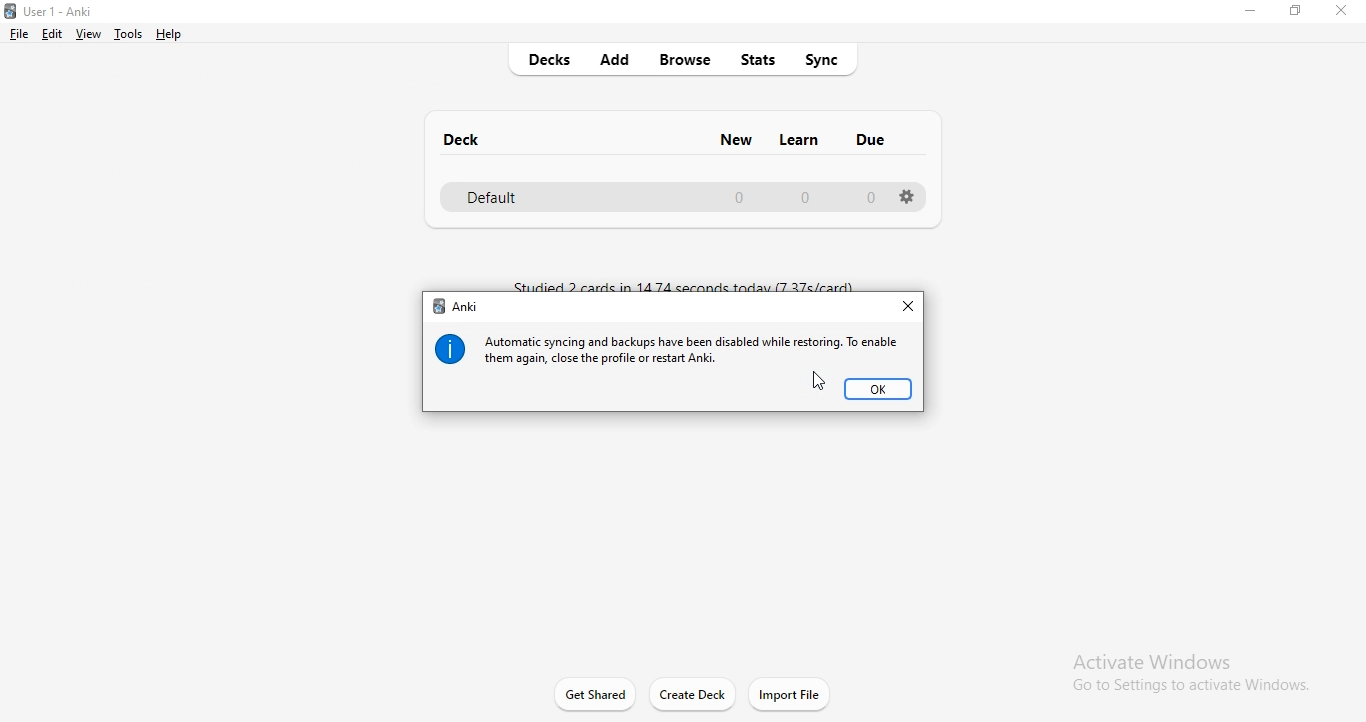 This screenshot has width=1366, height=722. What do you see at coordinates (819, 382) in the screenshot?
I see `cursor` at bounding box center [819, 382].